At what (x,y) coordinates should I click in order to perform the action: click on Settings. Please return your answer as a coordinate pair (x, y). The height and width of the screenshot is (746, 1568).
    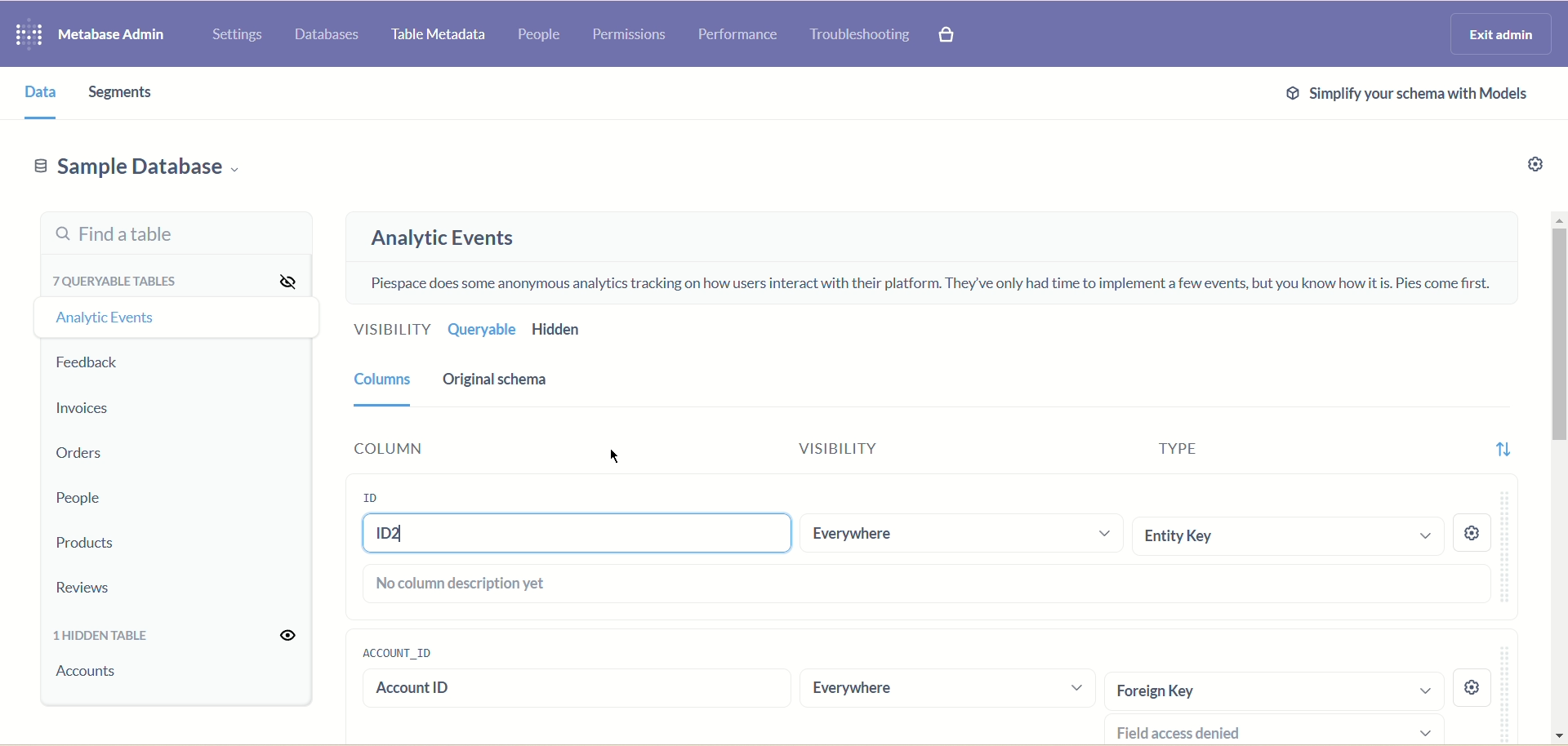
    Looking at the image, I should click on (1479, 532).